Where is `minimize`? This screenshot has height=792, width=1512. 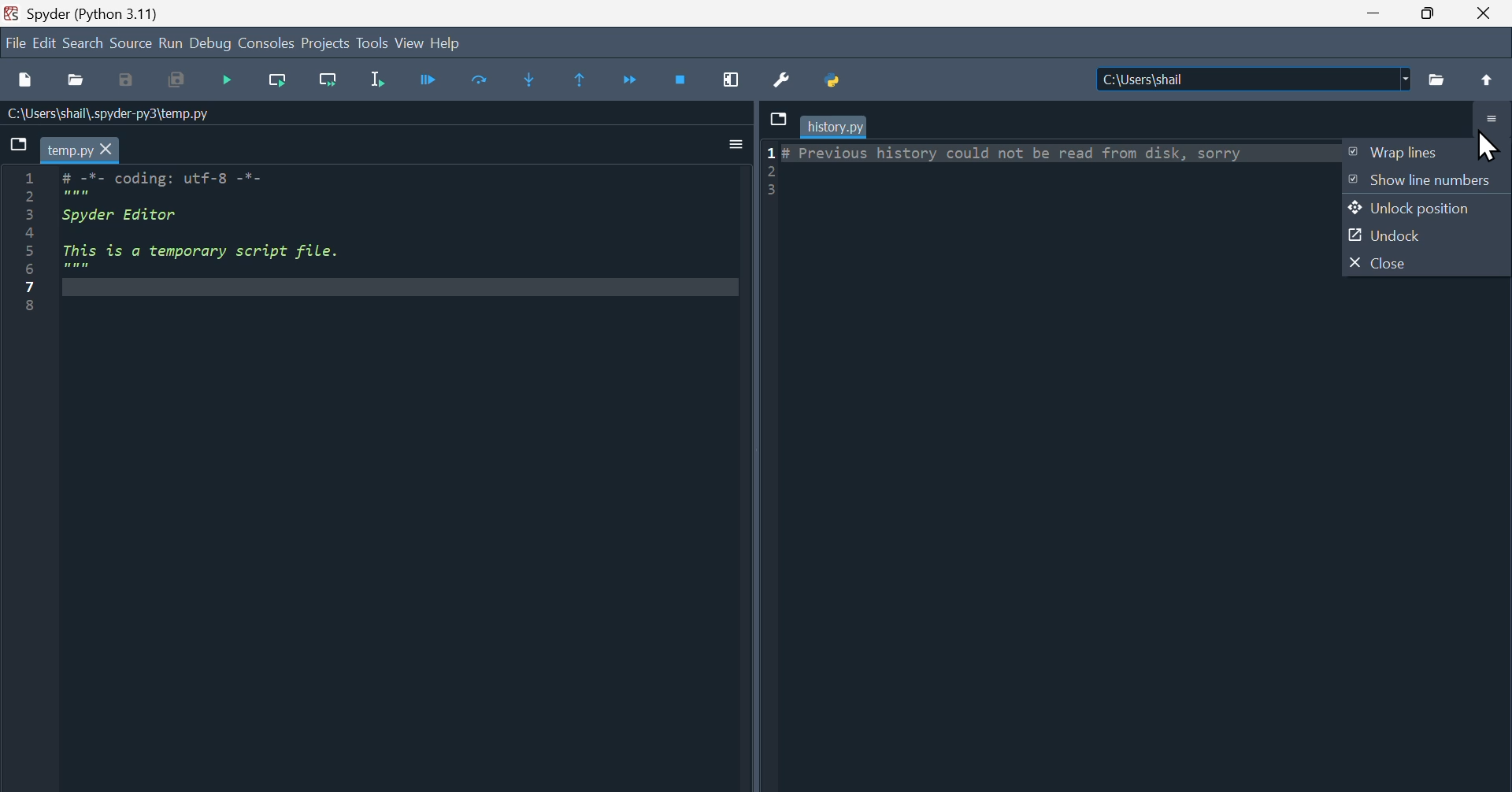
minimize is located at coordinates (1369, 13).